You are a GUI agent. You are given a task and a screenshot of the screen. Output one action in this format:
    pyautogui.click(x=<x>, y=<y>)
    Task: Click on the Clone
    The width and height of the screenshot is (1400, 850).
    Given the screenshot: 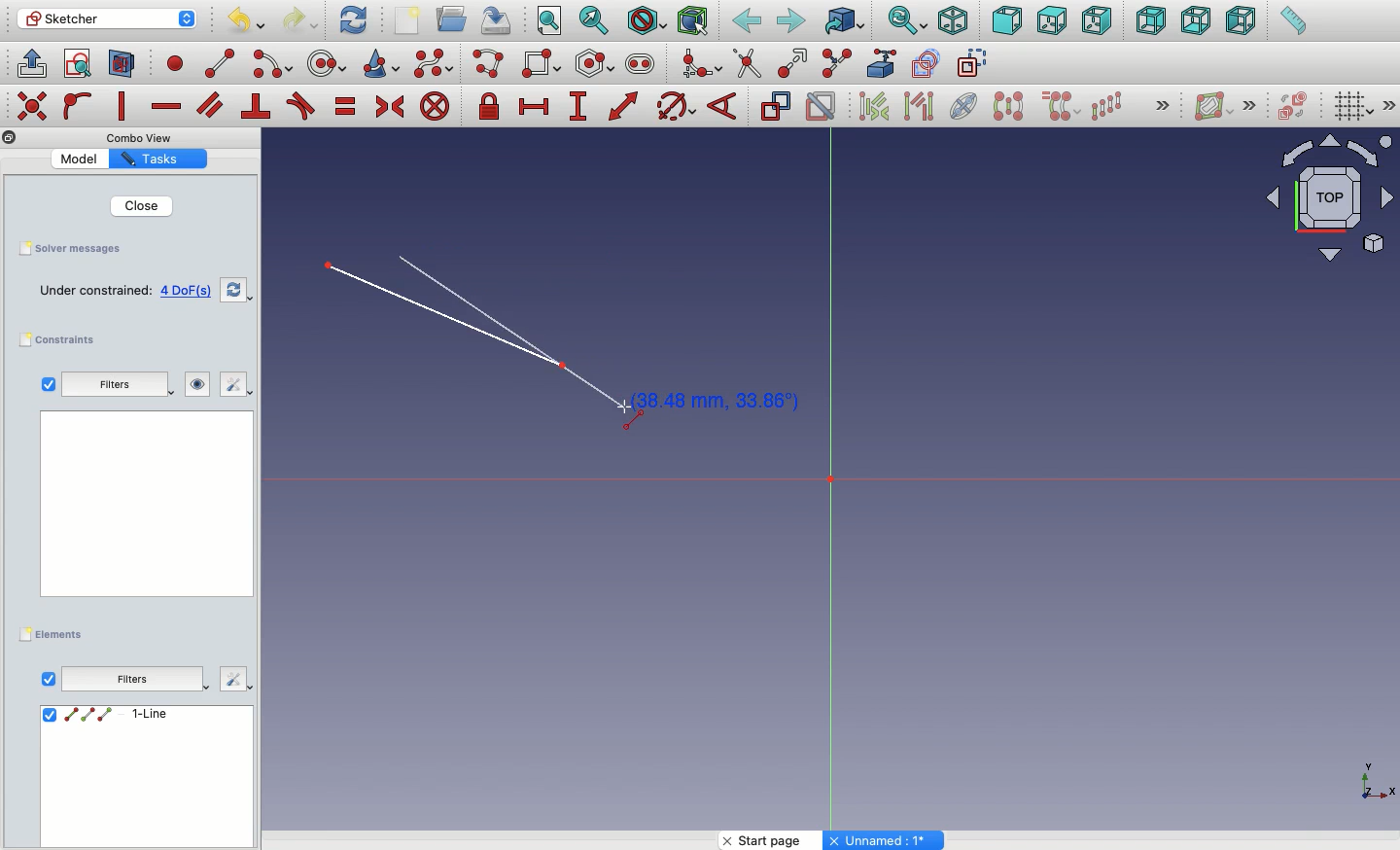 What is the action you would take?
    pyautogui.click(x=1063, y=108)
    